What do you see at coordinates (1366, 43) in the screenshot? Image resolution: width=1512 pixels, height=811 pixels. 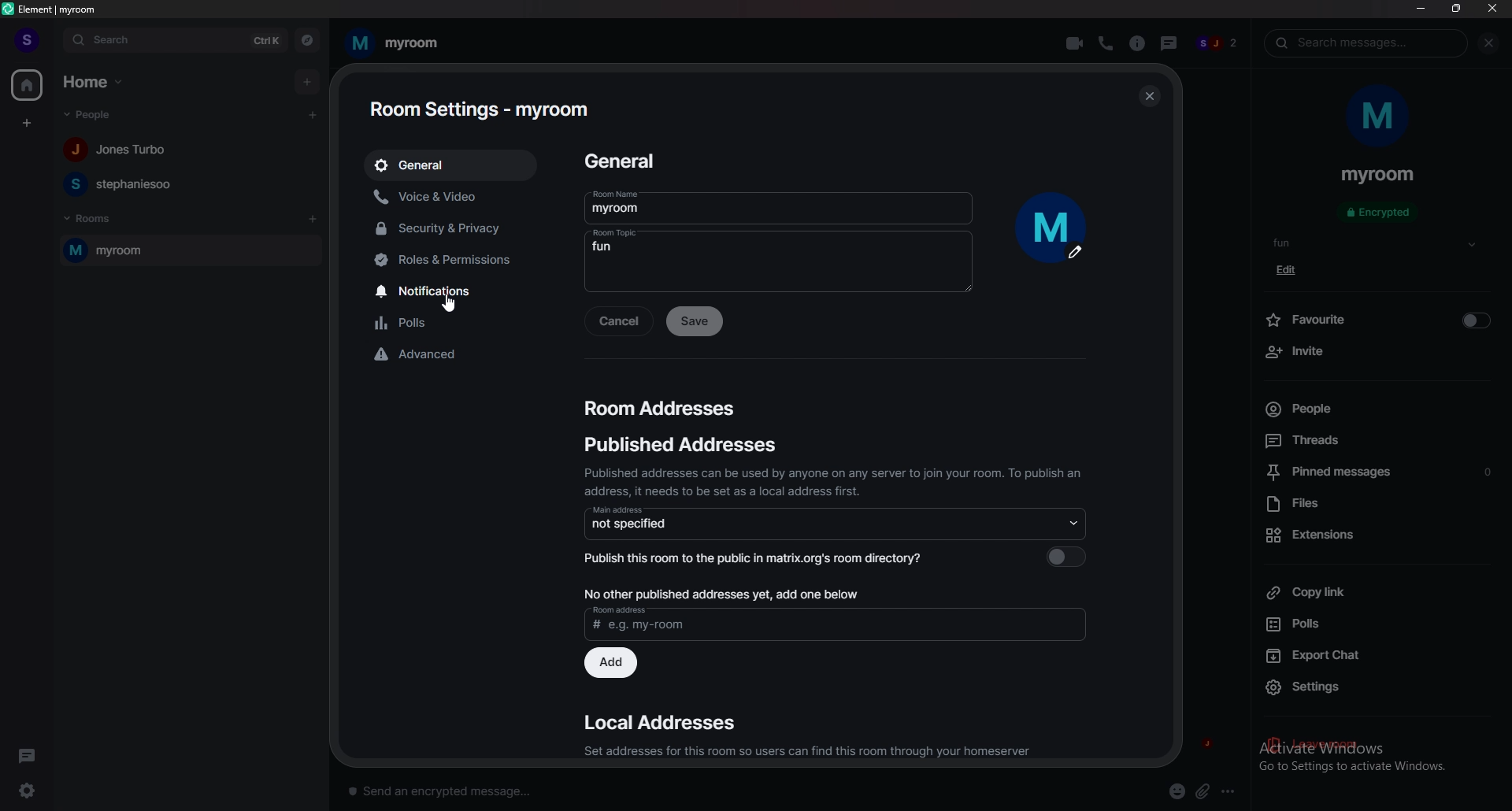 I see `search messages` at bounding box center [1366, 43].